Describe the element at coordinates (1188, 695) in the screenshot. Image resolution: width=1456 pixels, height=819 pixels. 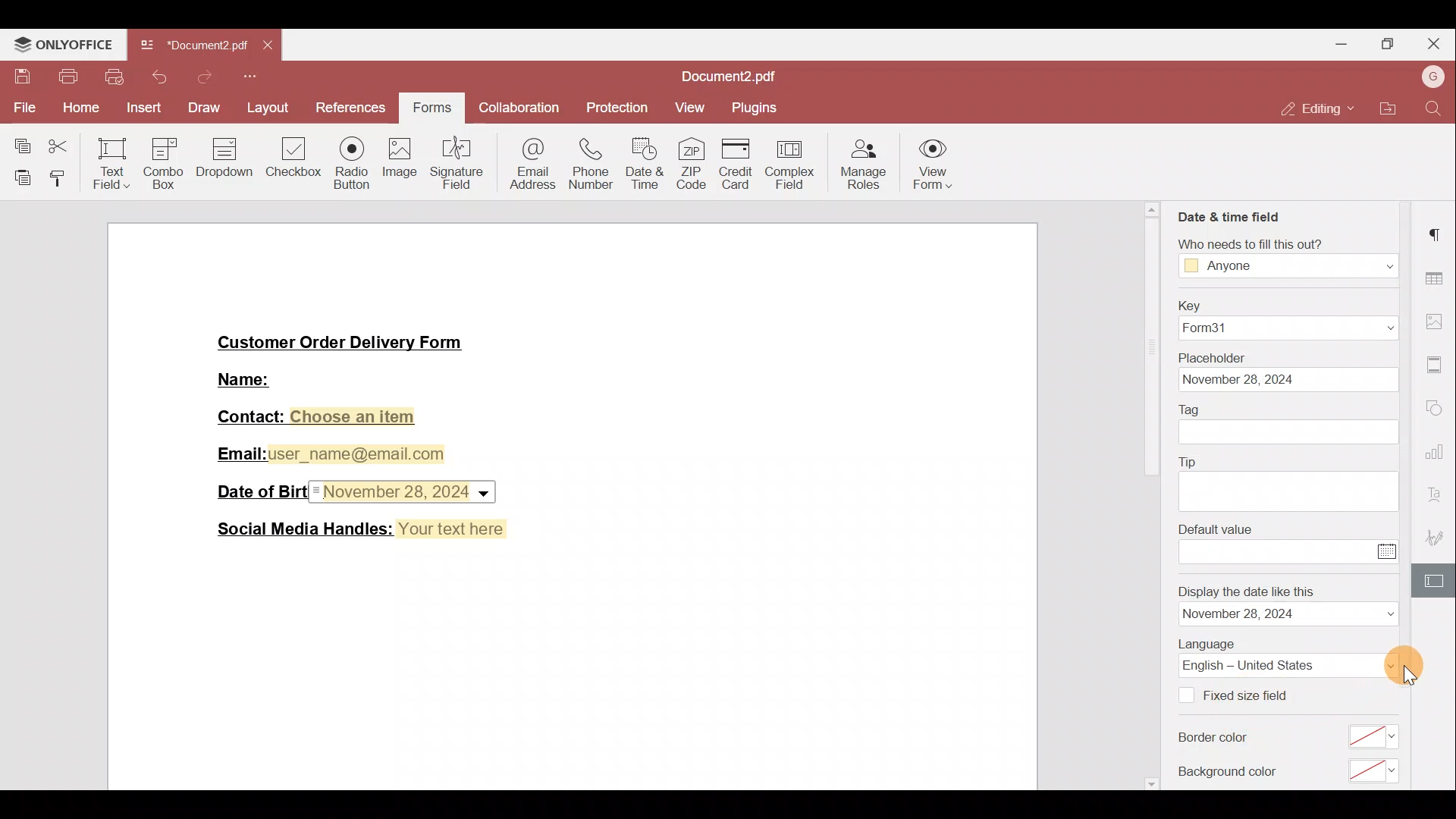
I see `Checkbox ` at that location.